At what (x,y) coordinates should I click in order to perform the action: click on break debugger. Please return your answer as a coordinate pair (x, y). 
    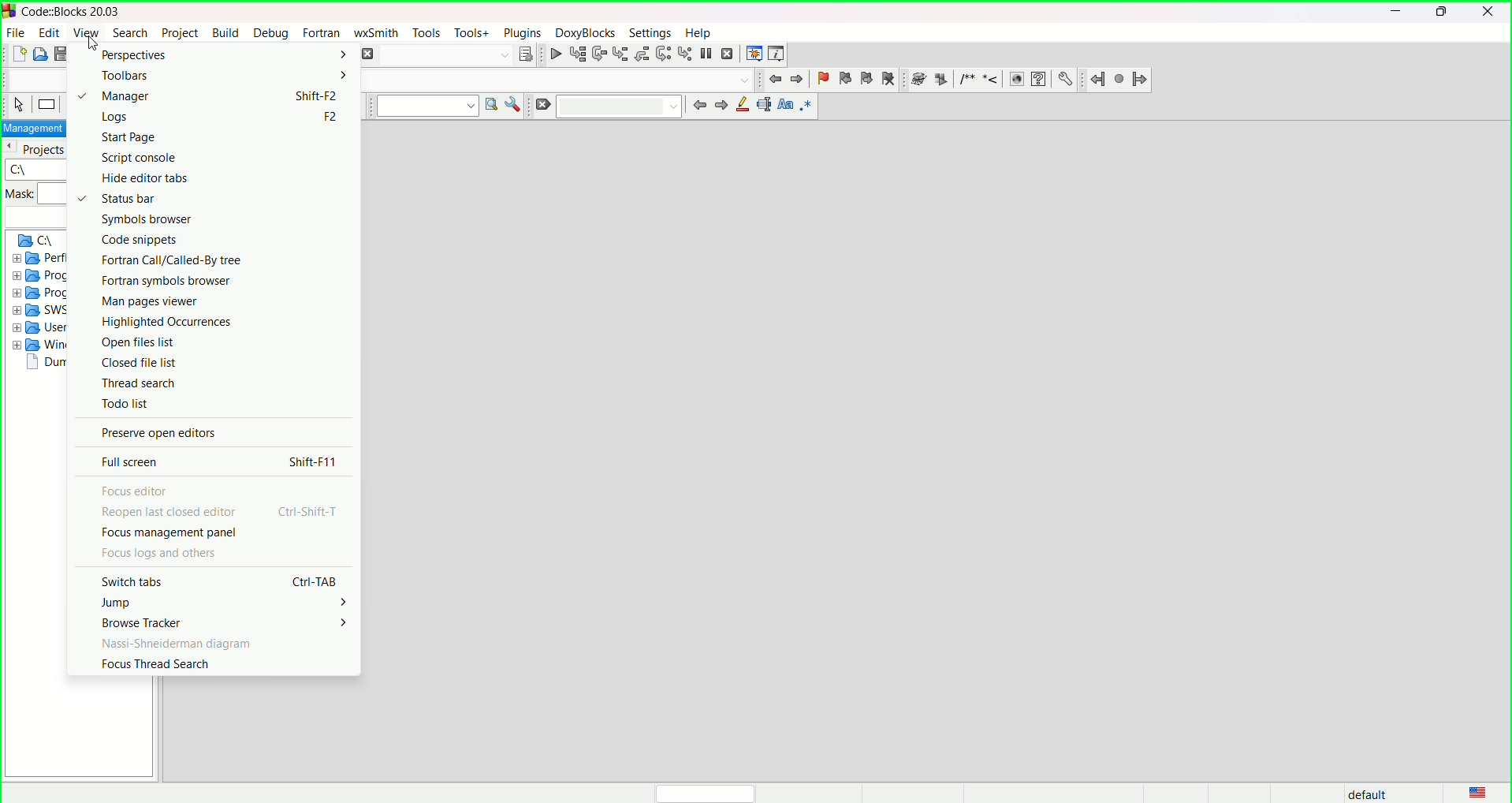
    Looking at the image, I should click on (707, 54).